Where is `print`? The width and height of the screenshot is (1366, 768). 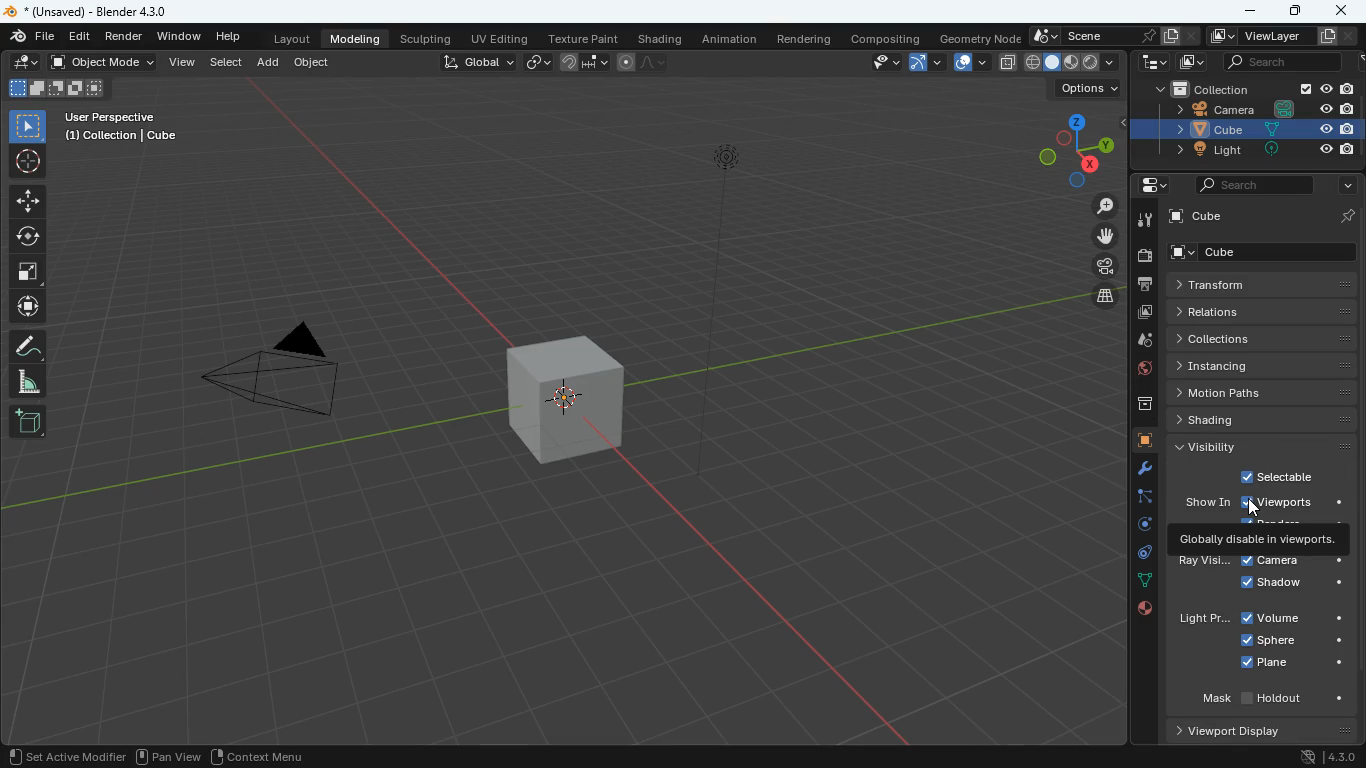 print is located at coordinates (1144, 284).